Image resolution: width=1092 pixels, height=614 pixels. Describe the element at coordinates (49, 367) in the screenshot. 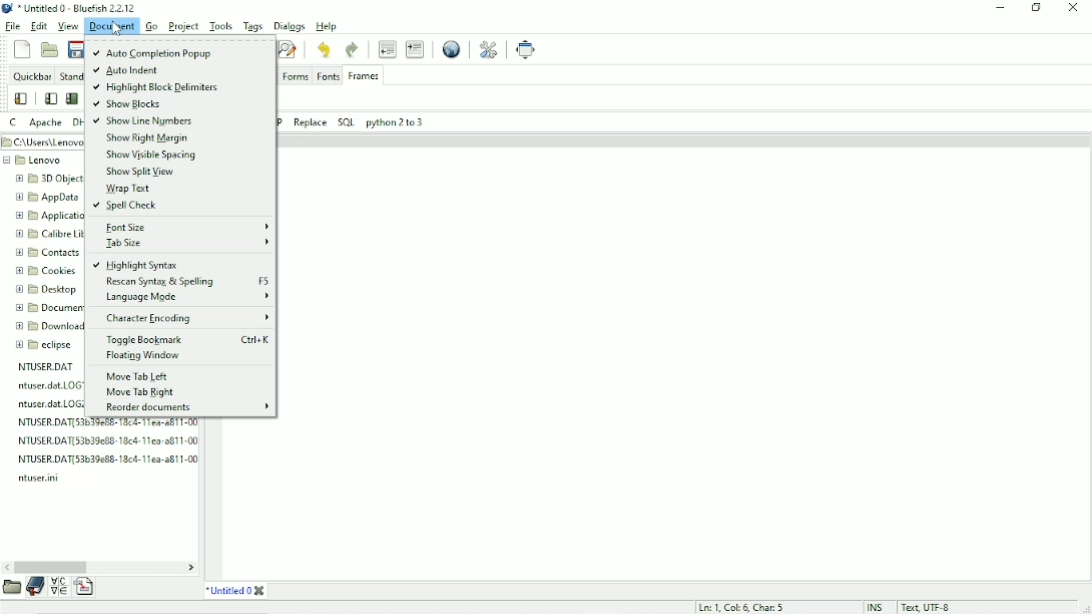

I see `NTUSER.DAT` at that location.